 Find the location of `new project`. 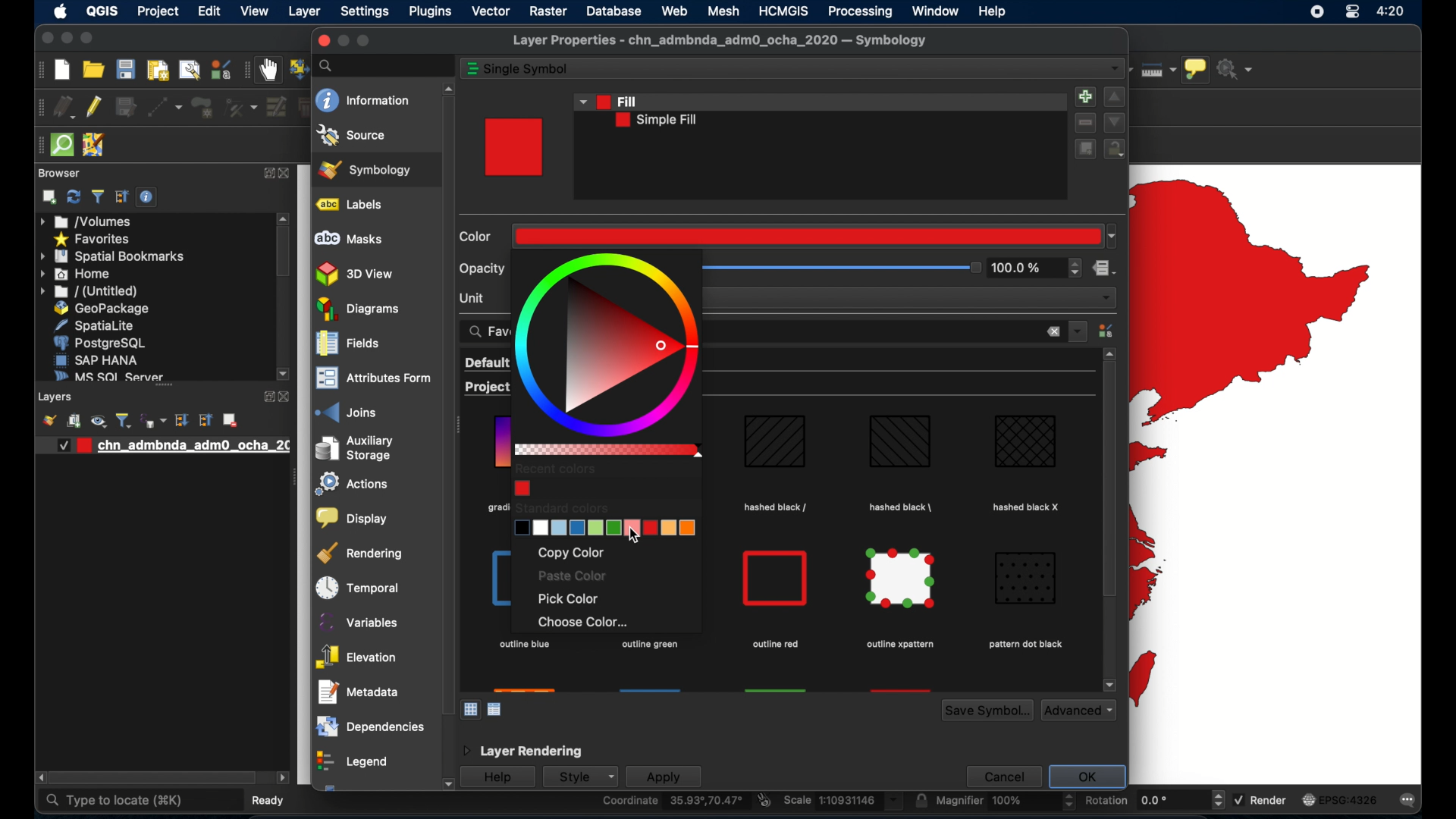

new project is located at coordinates (63, 70).